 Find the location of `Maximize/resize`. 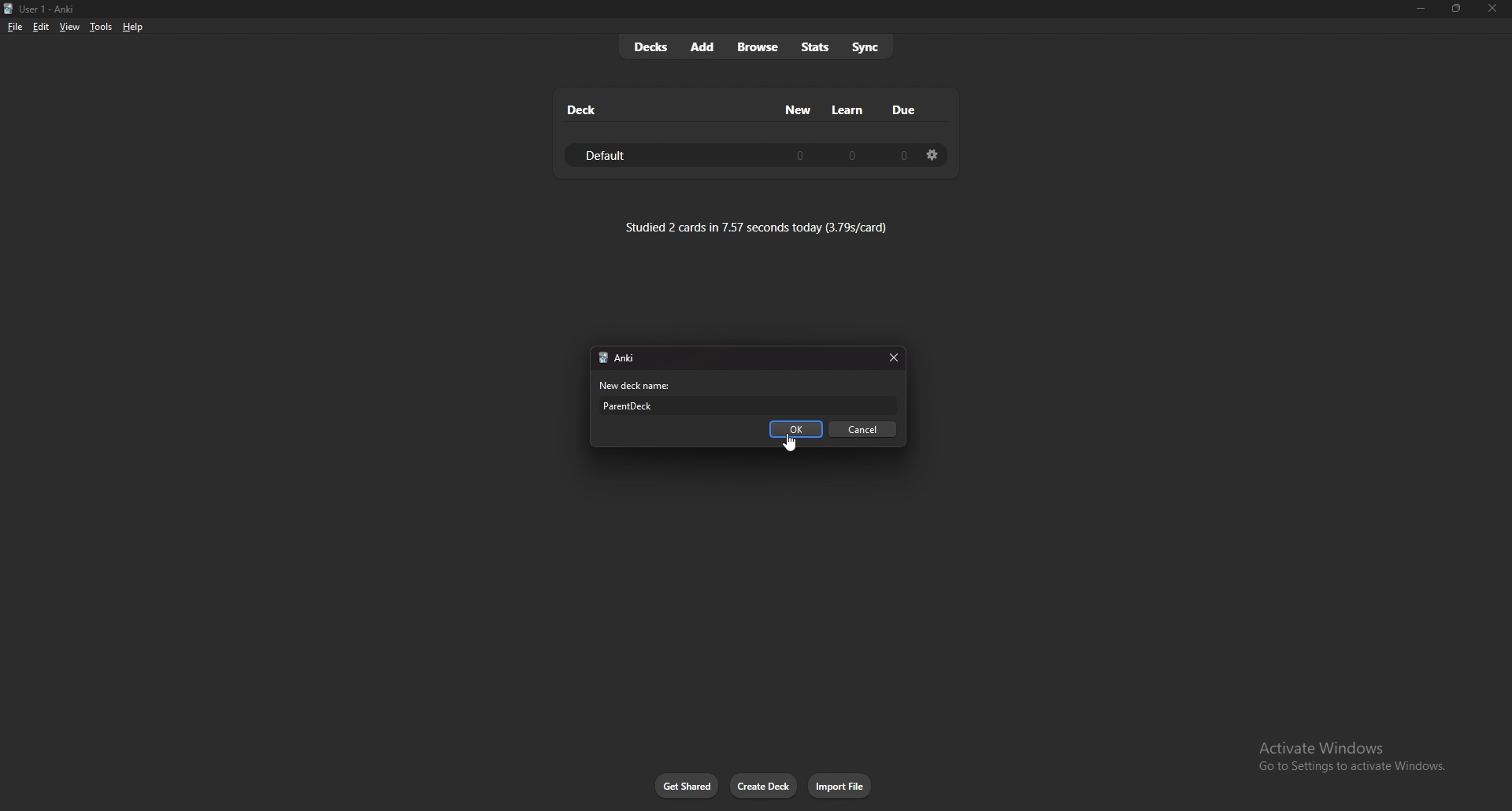

Maximize/resize is located at coordinates (1455, 9).